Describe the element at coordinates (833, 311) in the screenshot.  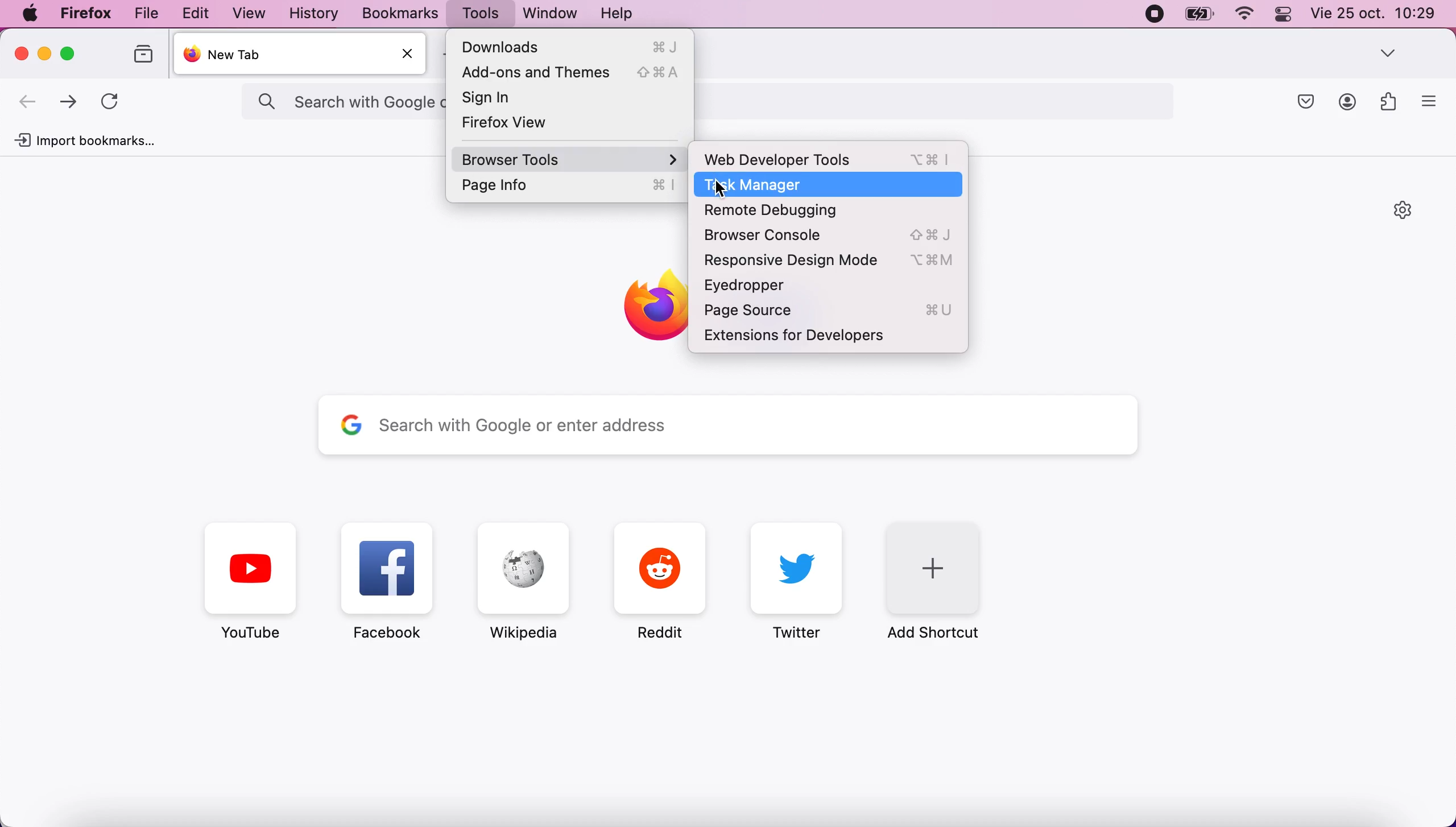
I see `Page Source` at that location.